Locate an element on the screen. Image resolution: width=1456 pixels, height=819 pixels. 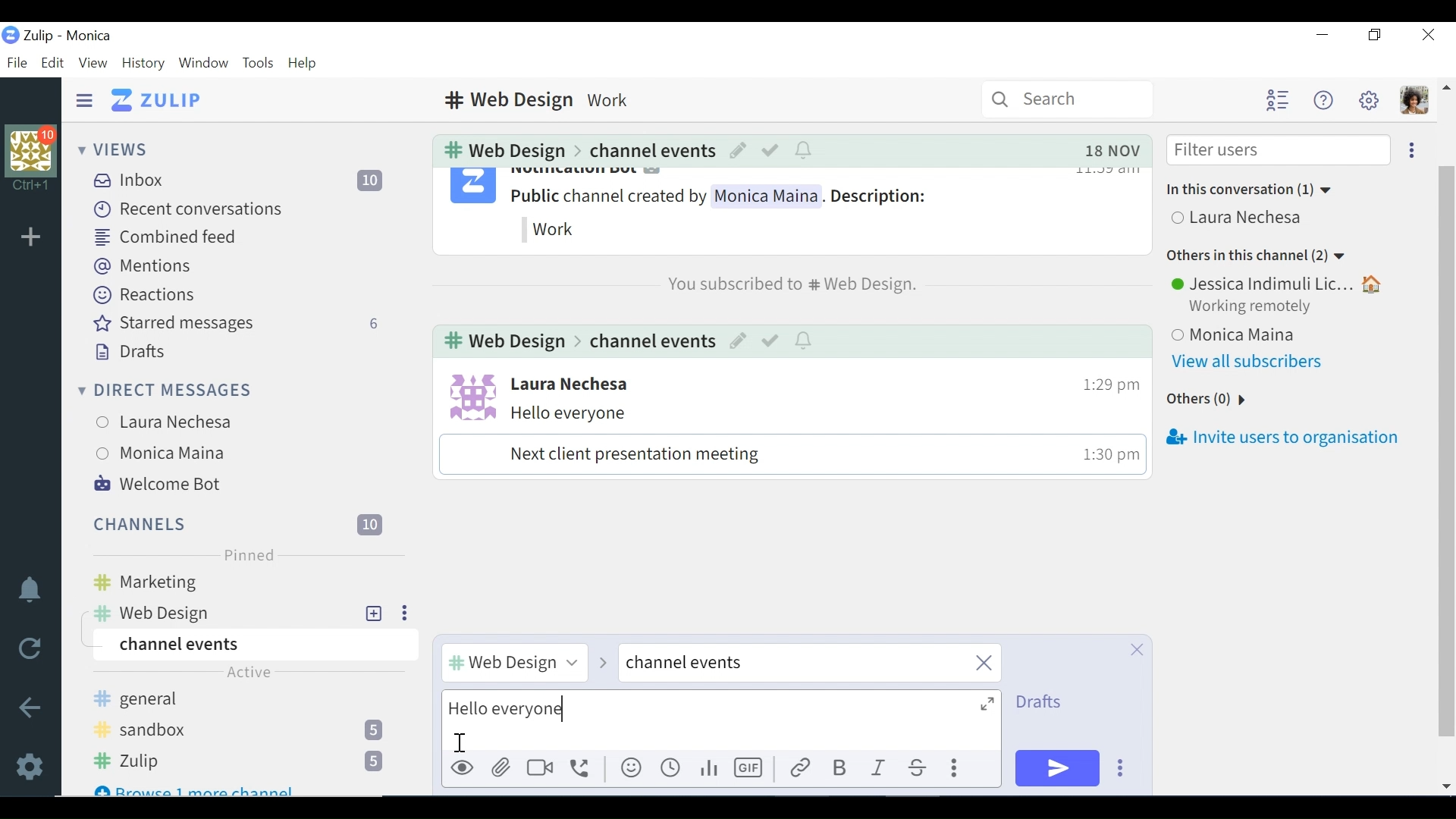
Mentions is located at coordinates (143, 266).